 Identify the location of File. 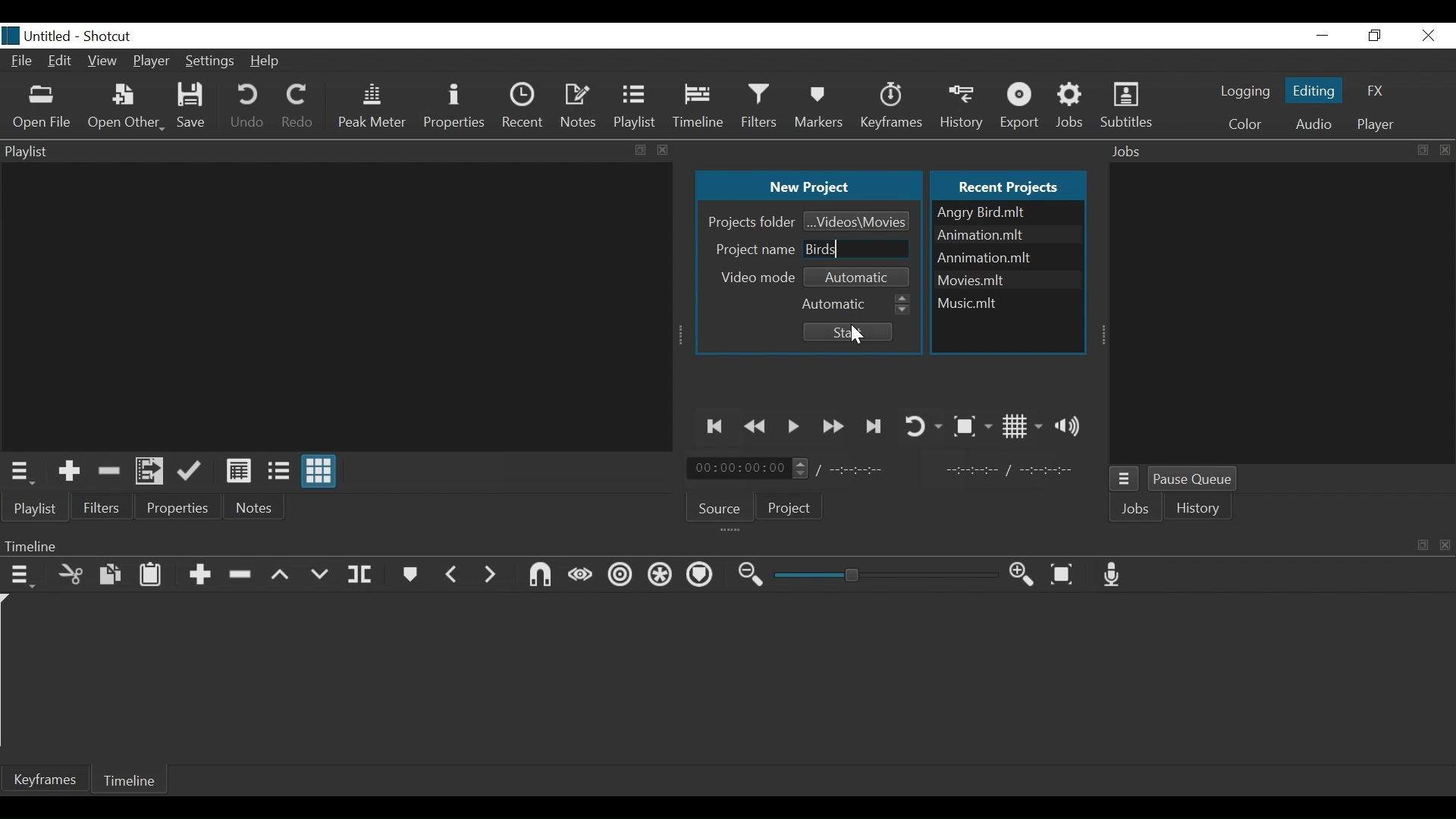
(22, 62).